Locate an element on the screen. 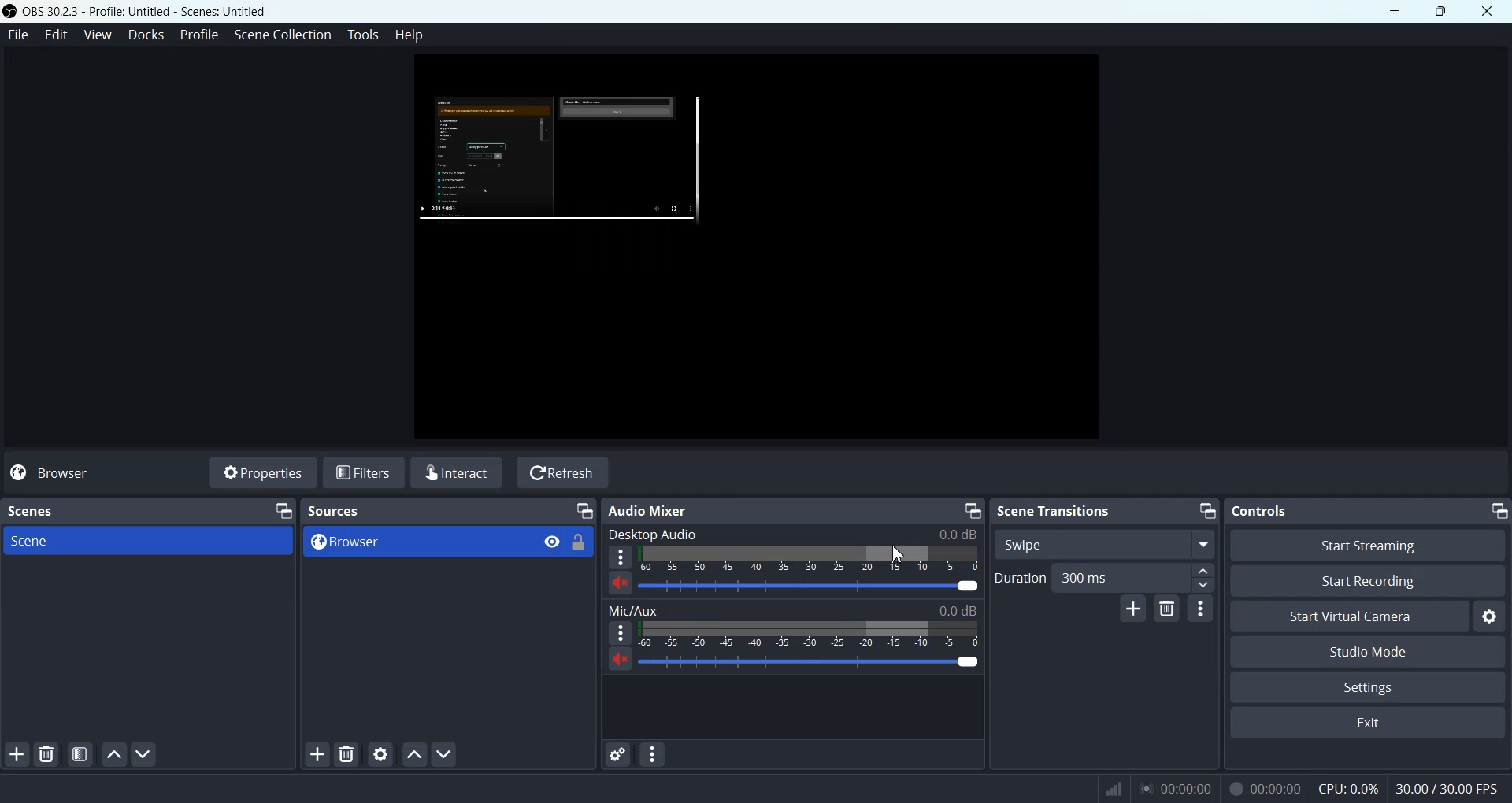 The width and height of the screenshot is (1512, 803). Docks is located at coordinates (148, 35).